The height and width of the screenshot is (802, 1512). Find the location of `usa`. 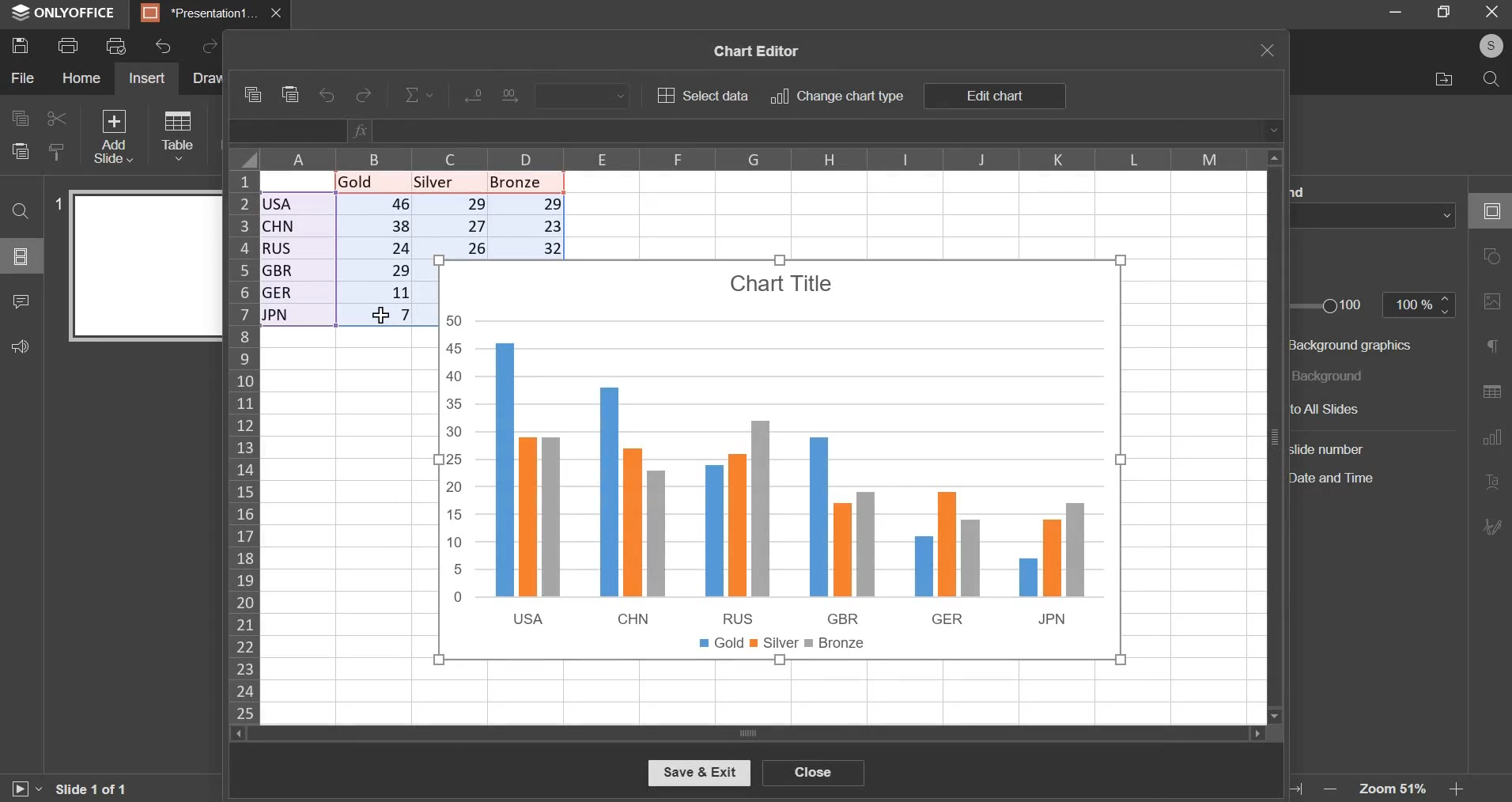

usa is located at coordinates (298, 204).